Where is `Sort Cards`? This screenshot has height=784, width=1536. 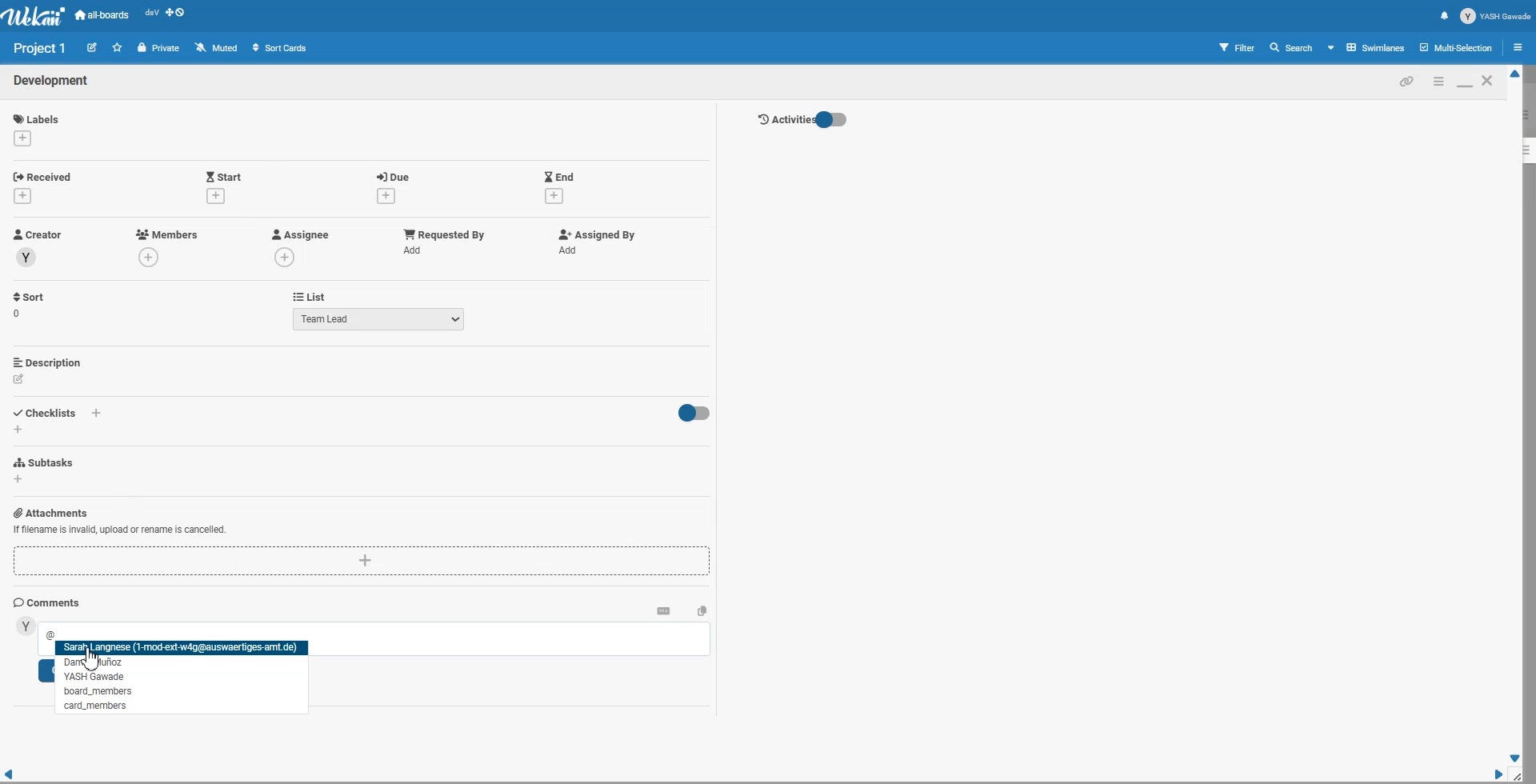 Sort Cards is located at coordinates (279, 47).